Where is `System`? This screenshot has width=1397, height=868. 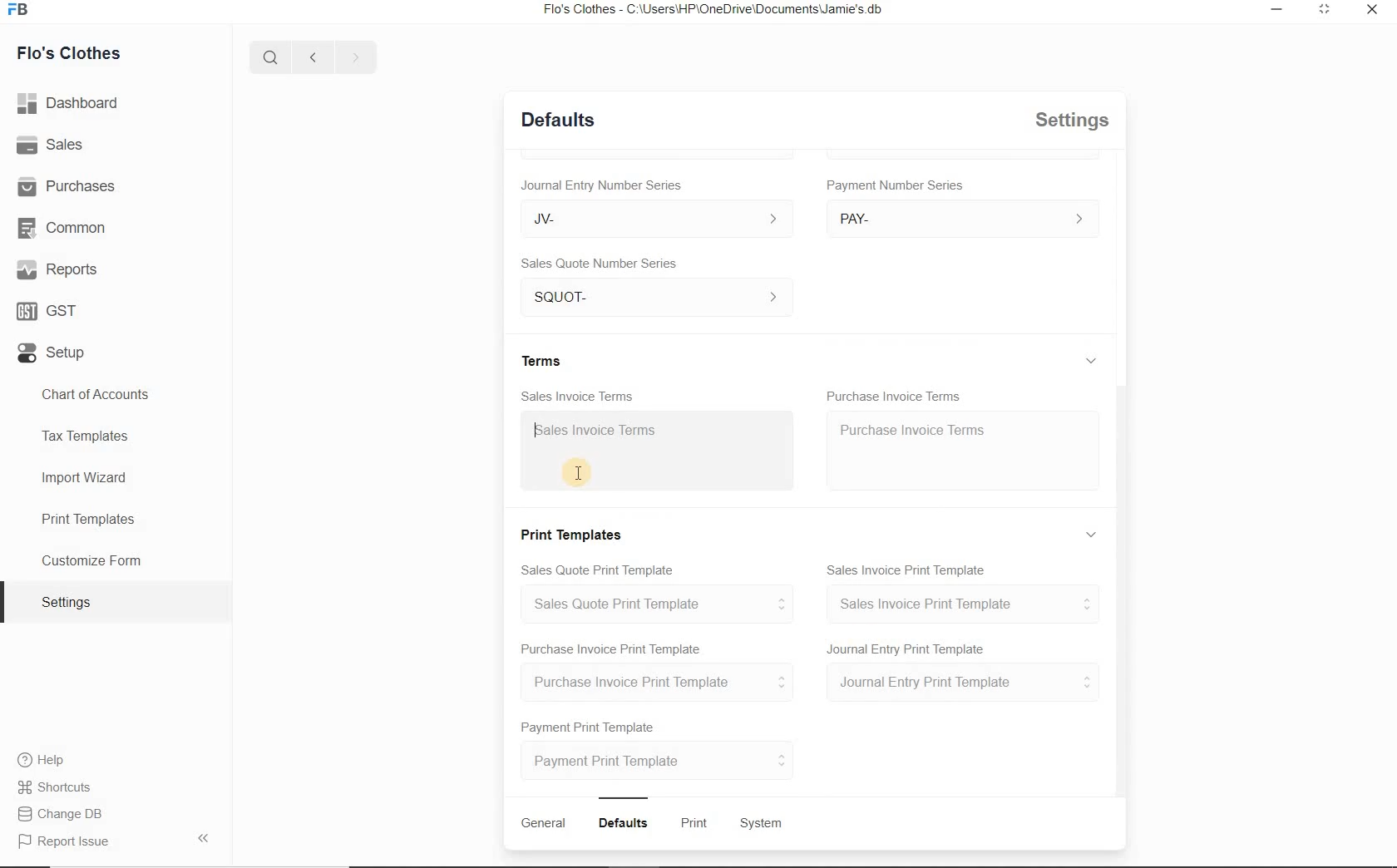
System is located at coordinates (763, 824).